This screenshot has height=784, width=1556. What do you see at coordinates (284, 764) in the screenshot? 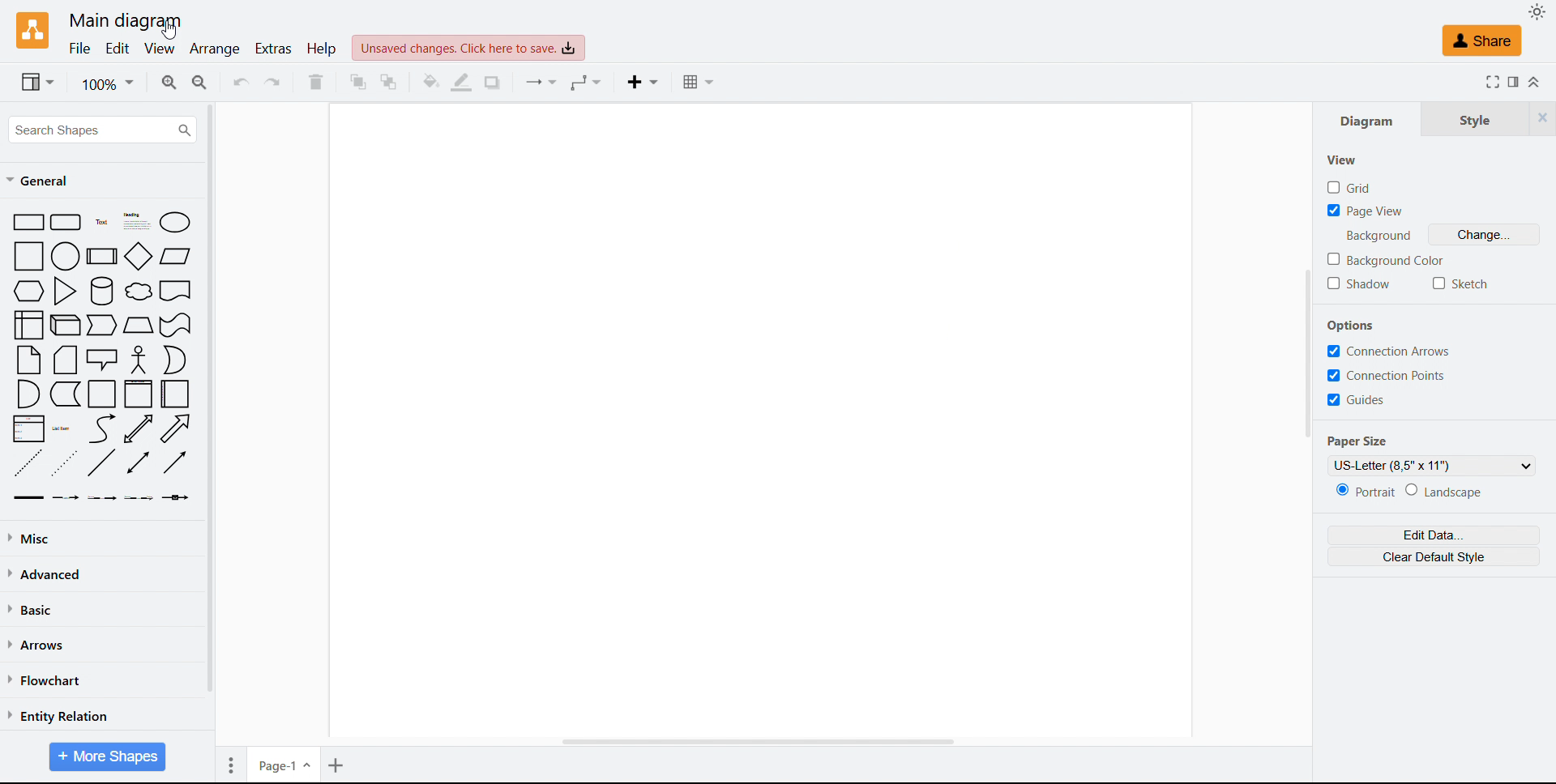
I see `Page one ` at bounding box center [284, 764].